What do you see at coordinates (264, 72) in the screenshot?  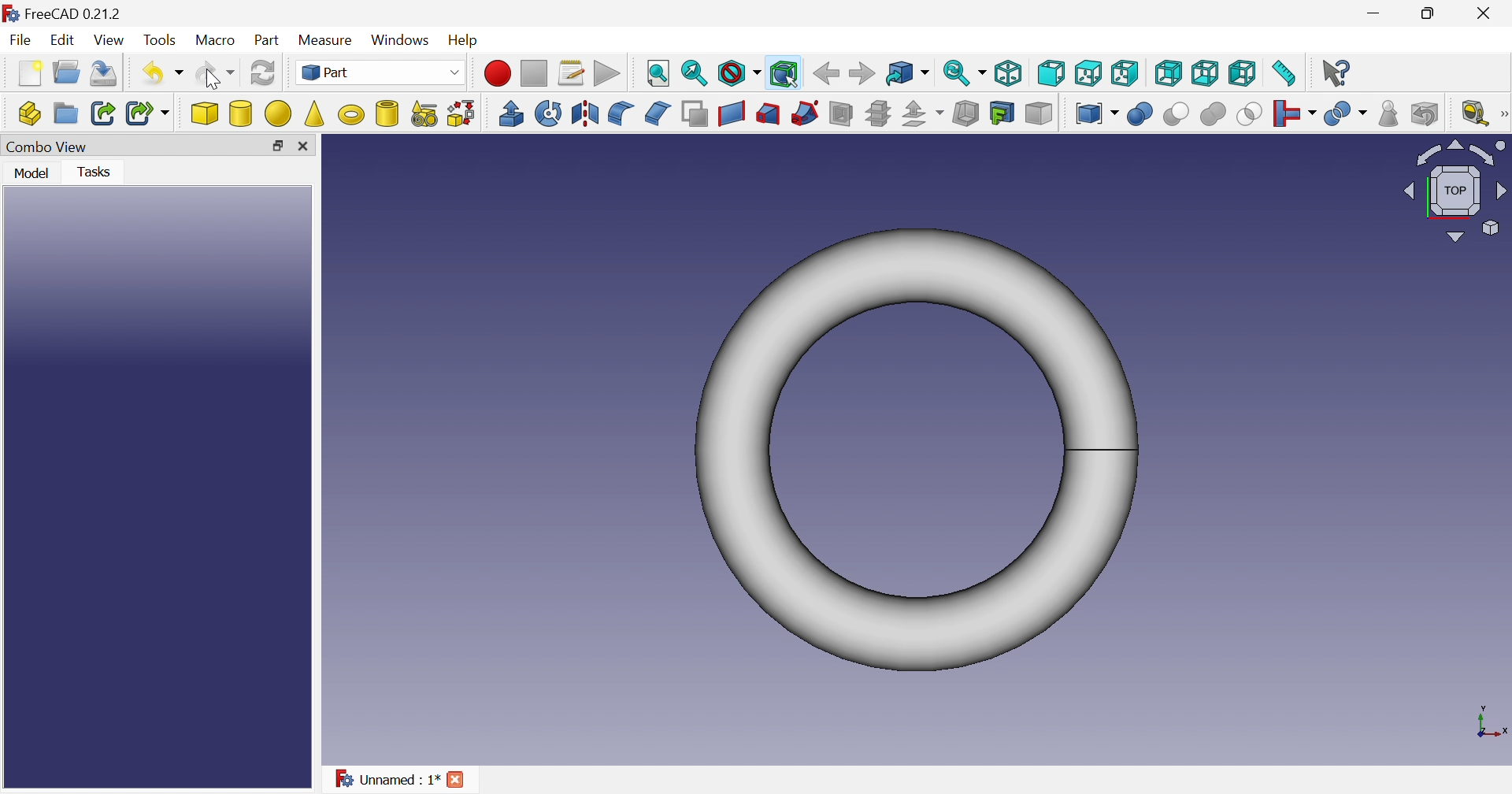 I see `Refresh` at bounding box center [264, 72].